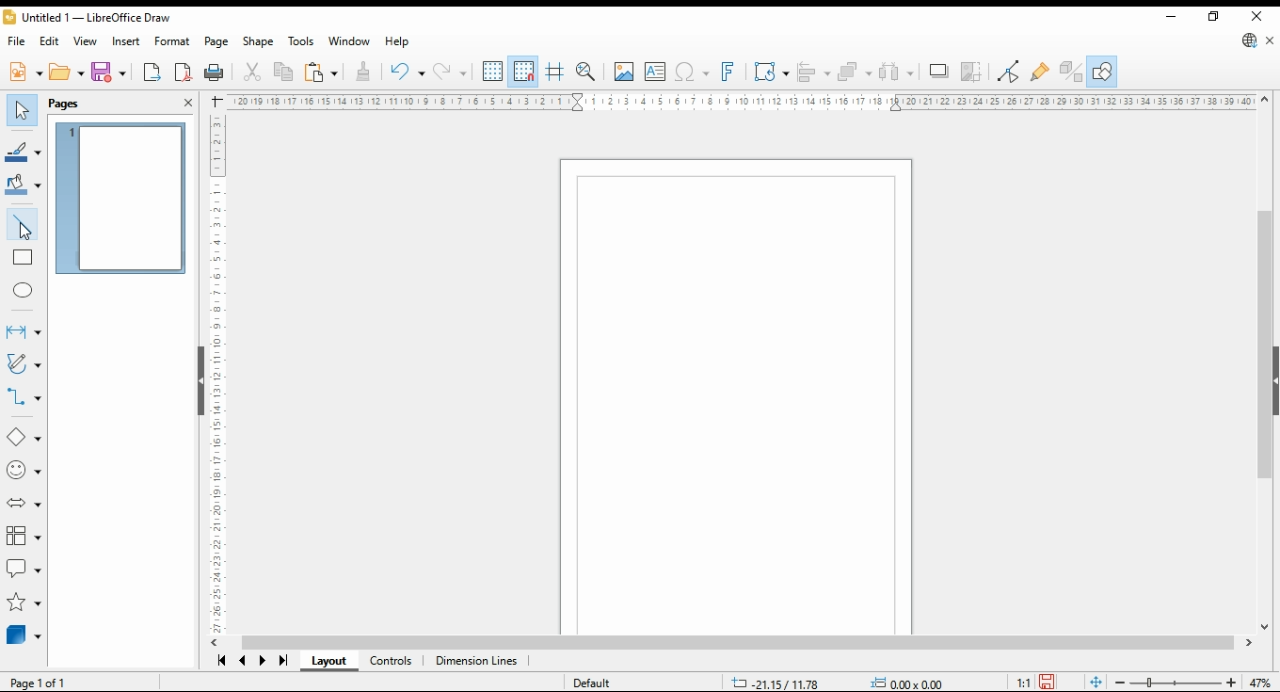 Image resolution: width=1280 pixels, height=692 pixels. What do you see at coordinates (33, 234) in the screenshot?
I see `mouse pointer` at bounding box center [33, 234].